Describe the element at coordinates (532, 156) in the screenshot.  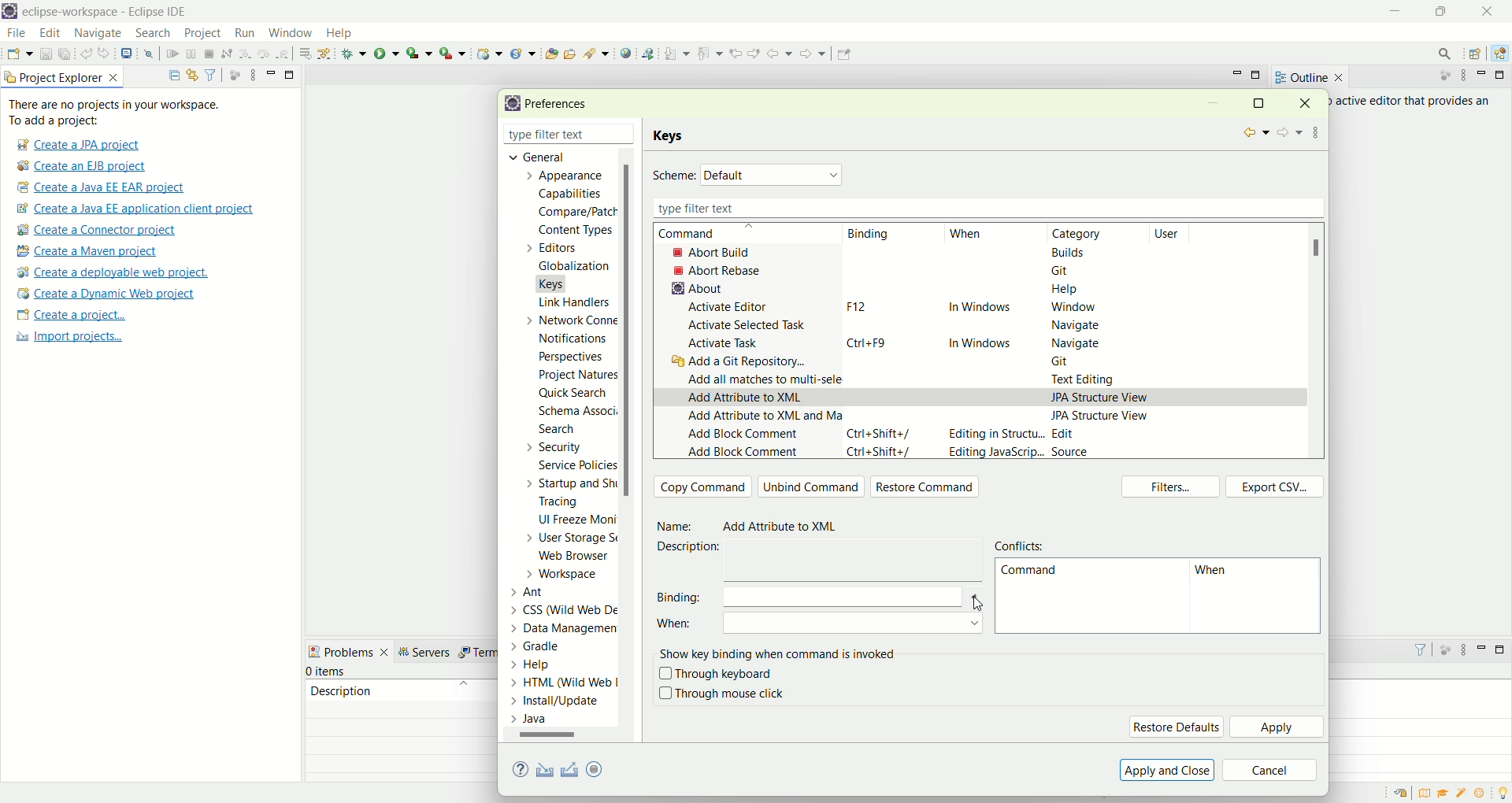
I see `general` at that location.